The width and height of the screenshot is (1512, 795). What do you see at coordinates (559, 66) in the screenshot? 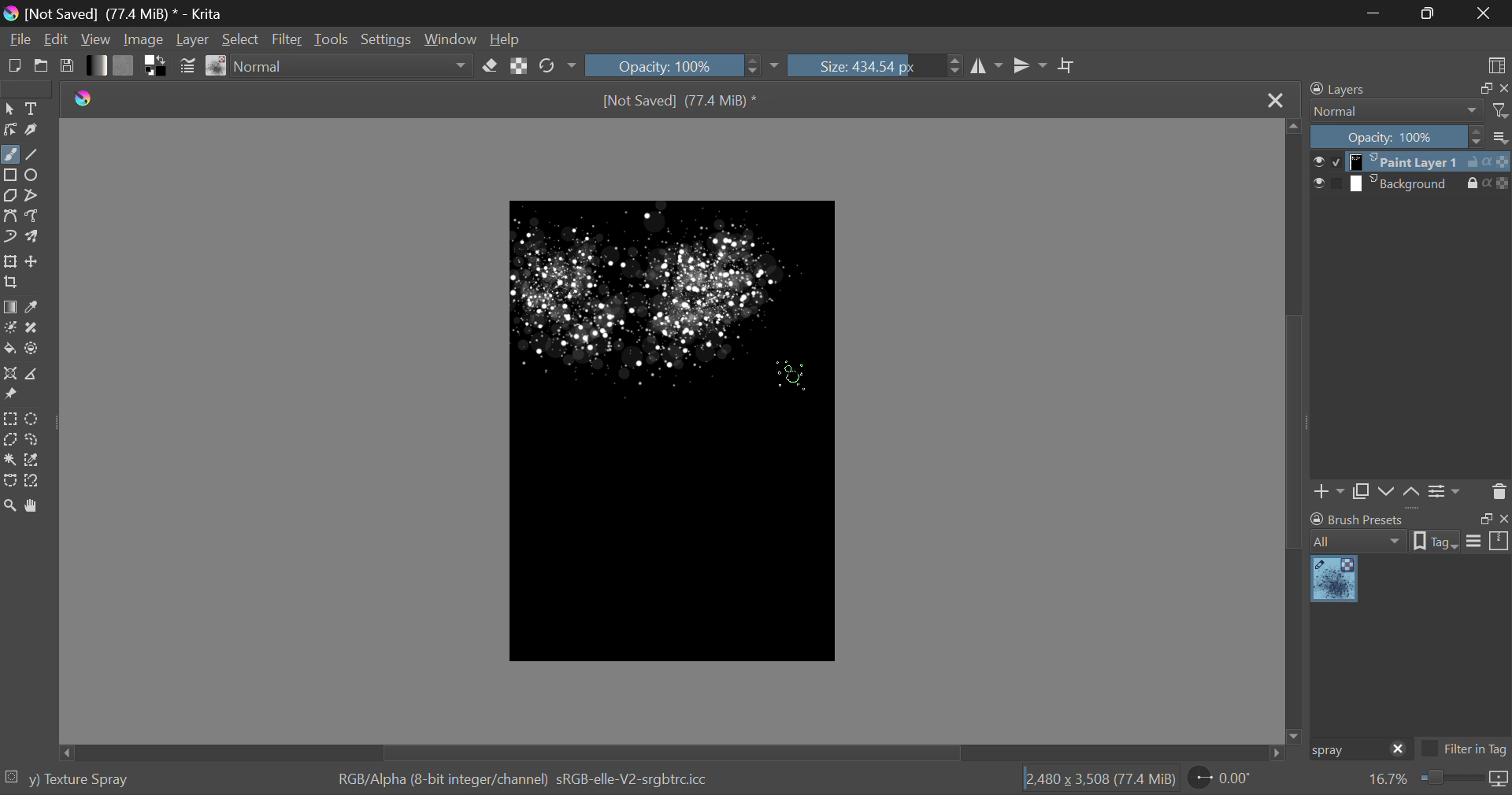
I see `Rotate` at bounding box center [559, 66].